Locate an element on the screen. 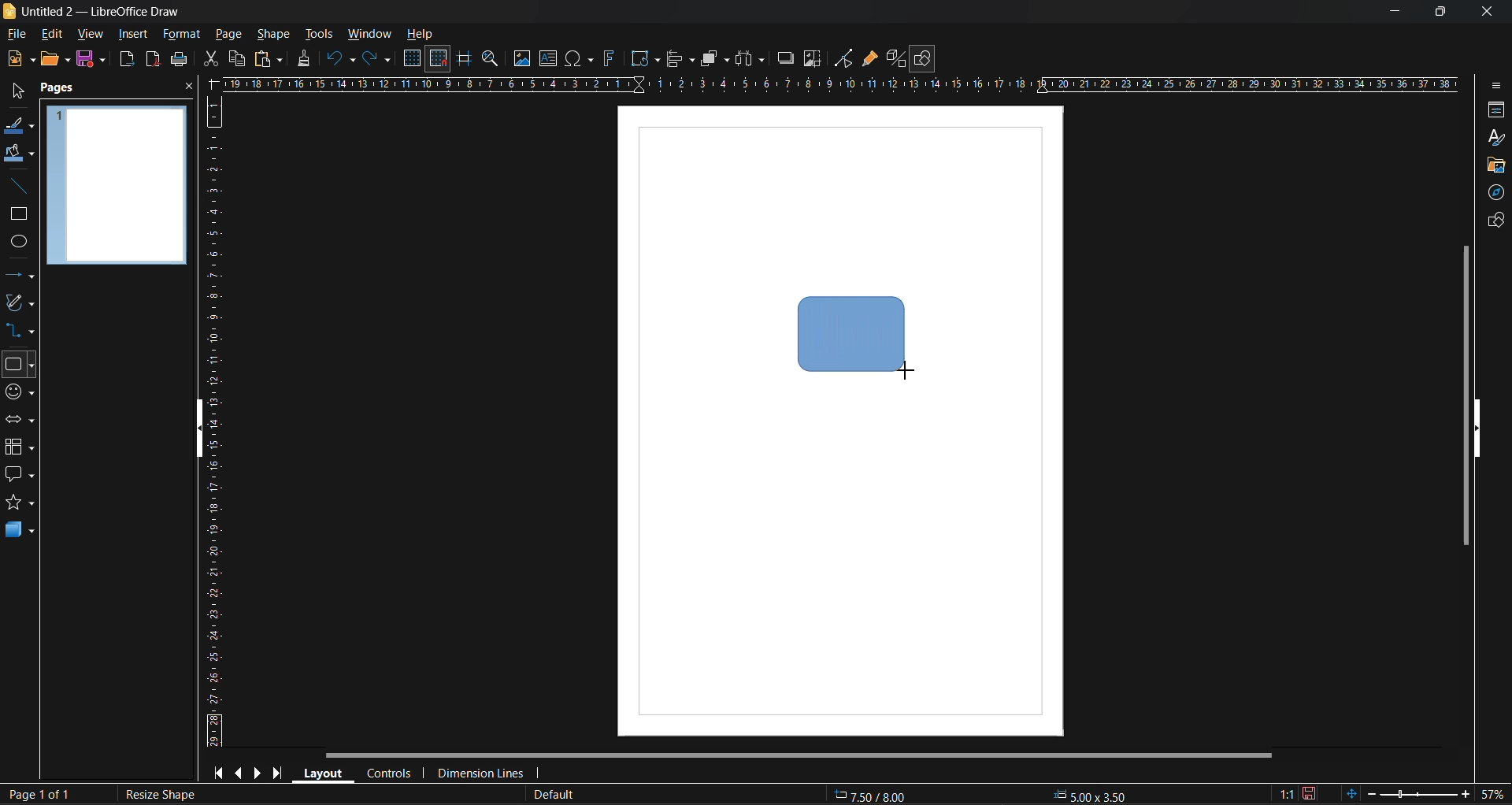 The width and height of the screenshot is (1512, 805). zoom is located at coordinates (492, 61).